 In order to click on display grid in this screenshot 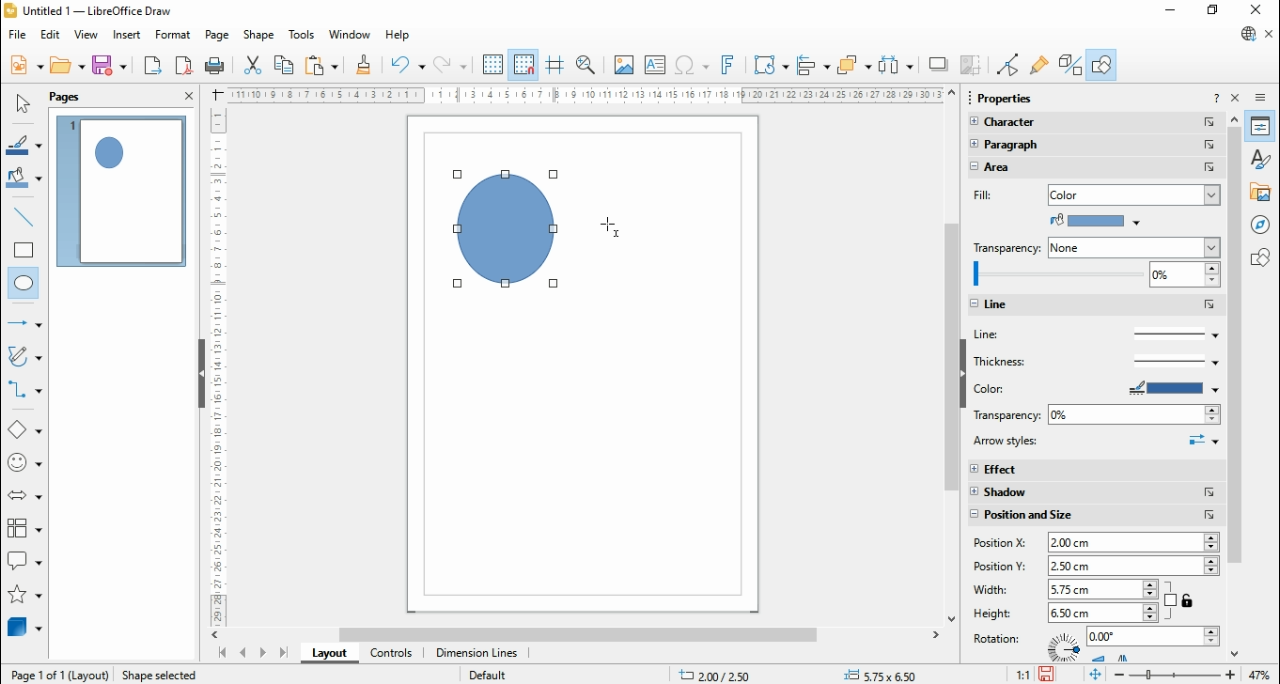, I will do `click(492, 66)`.